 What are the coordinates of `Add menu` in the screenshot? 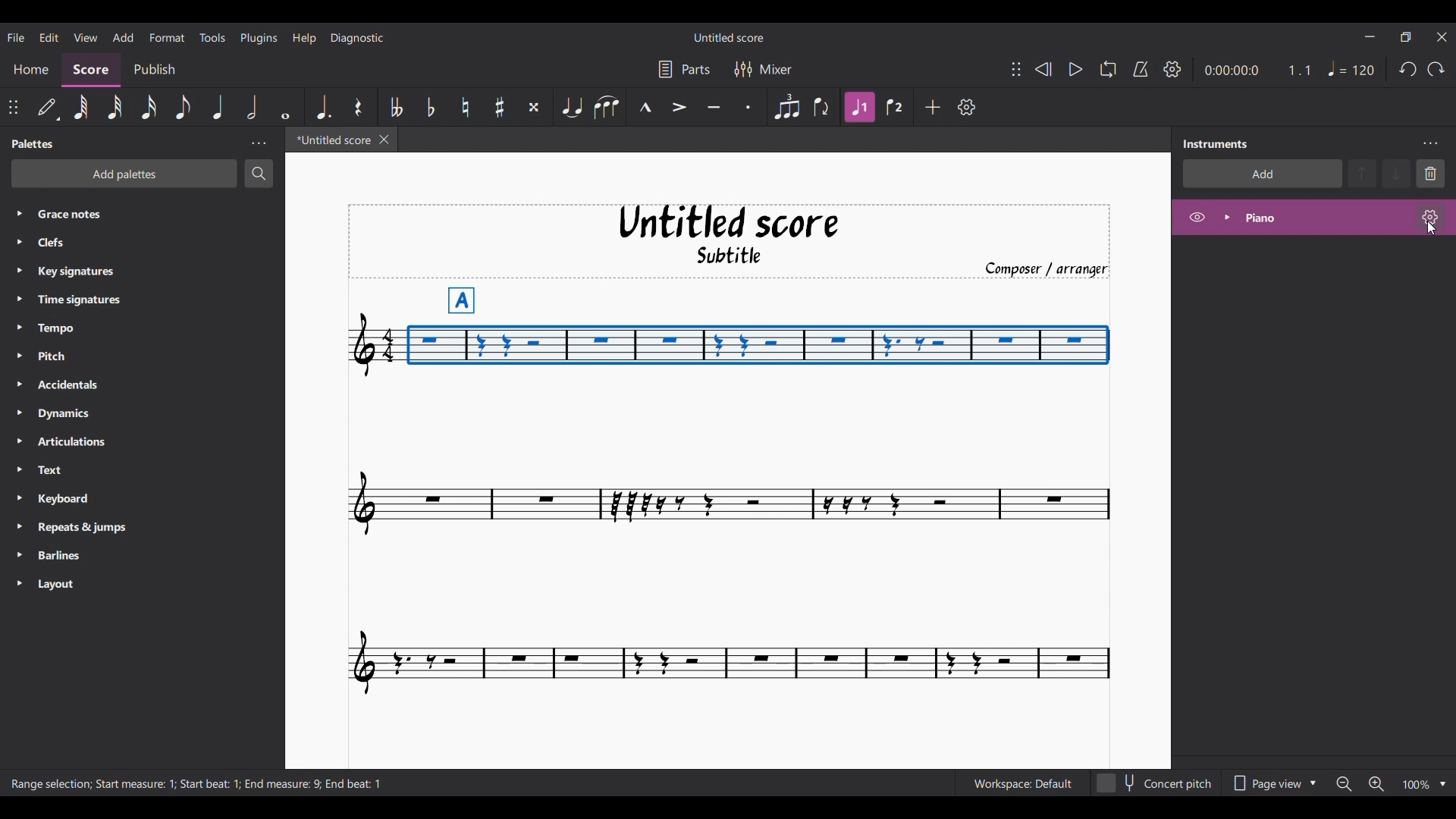 It's located at (123, 37).